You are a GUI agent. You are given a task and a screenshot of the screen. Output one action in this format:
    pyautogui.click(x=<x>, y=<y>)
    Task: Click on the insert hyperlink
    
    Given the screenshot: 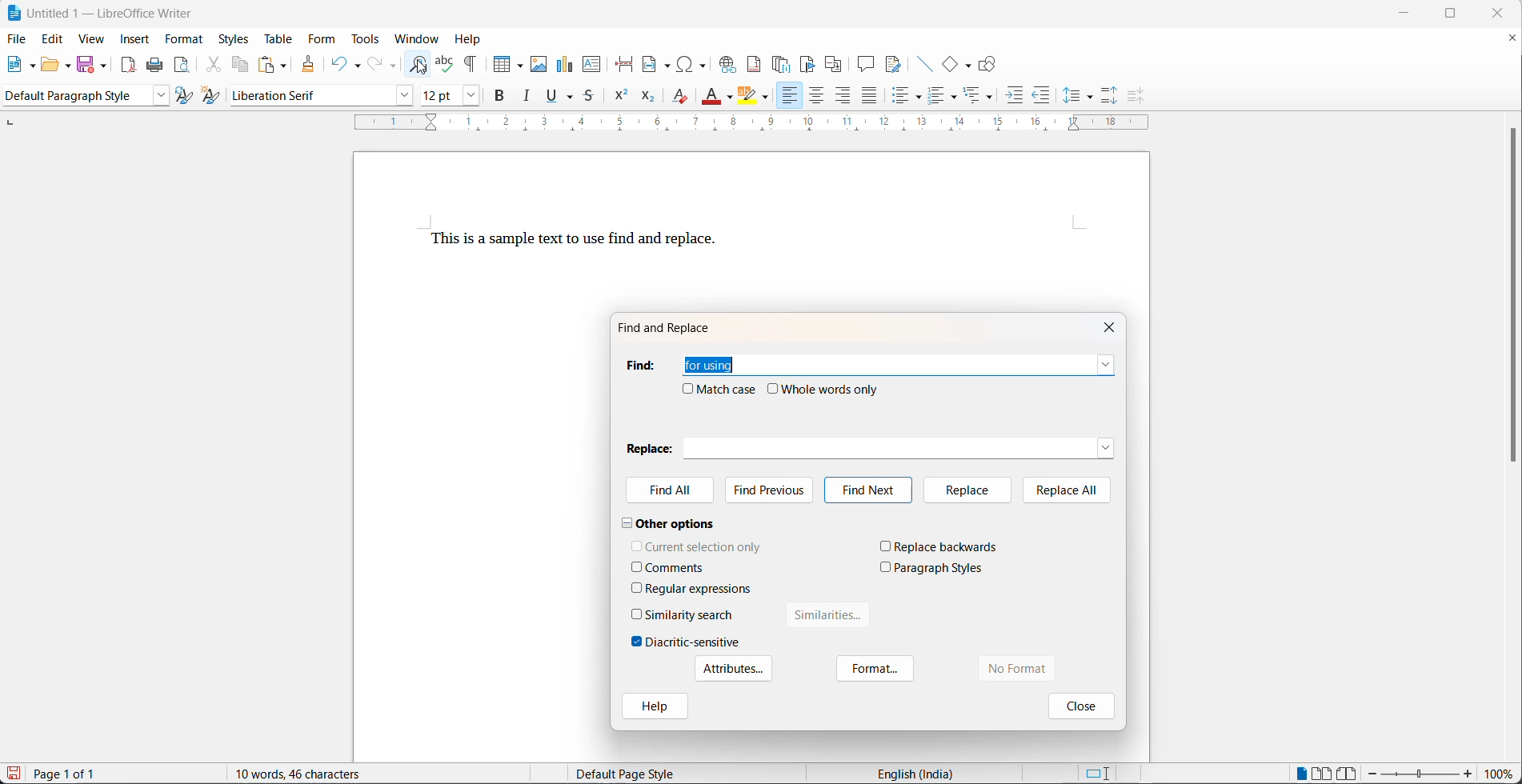 What is the action you would take?
    pyautogui.click(x=729, y=64)
    